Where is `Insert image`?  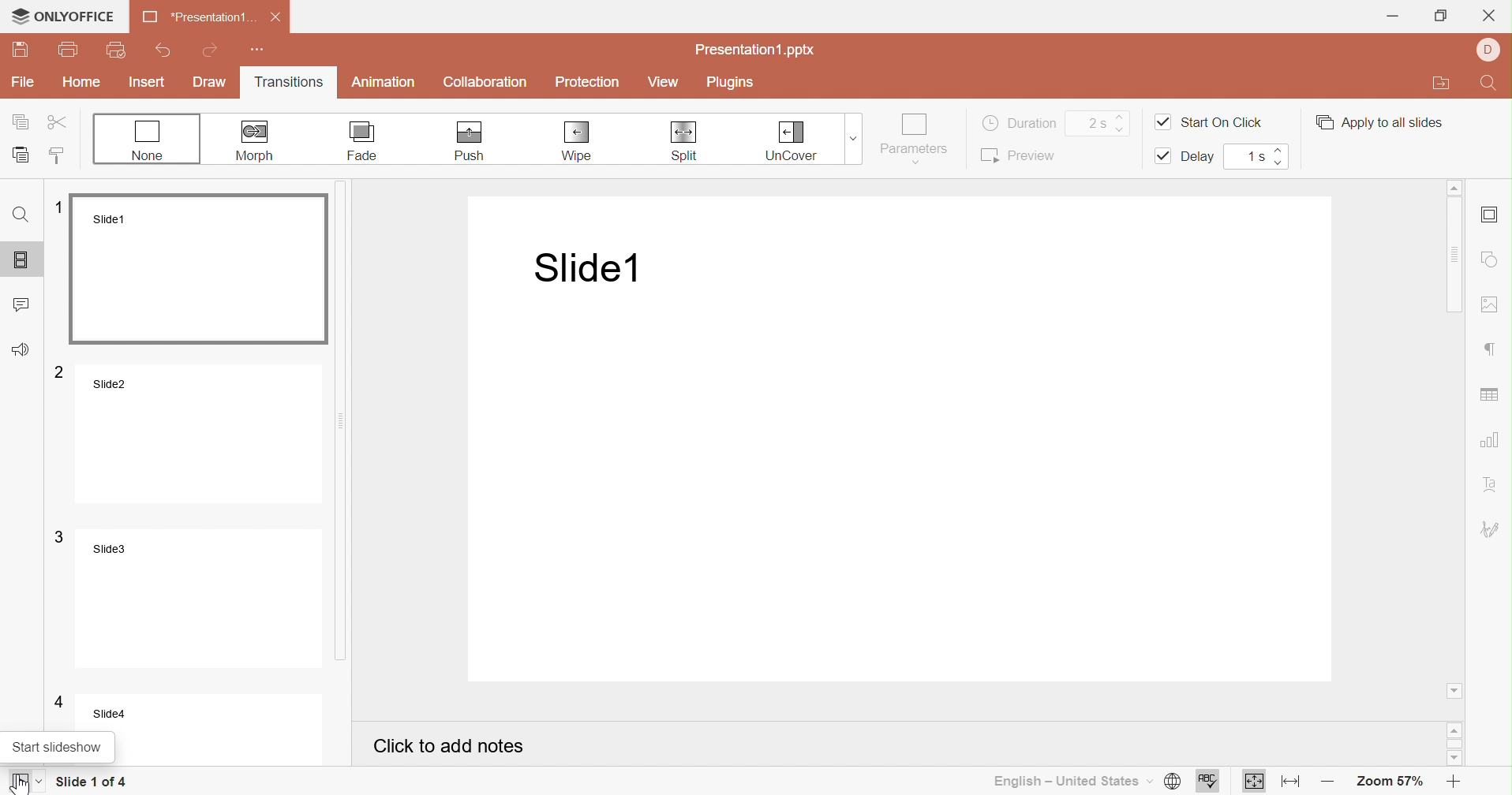
Insert image is located at coordinates (1488, 305).